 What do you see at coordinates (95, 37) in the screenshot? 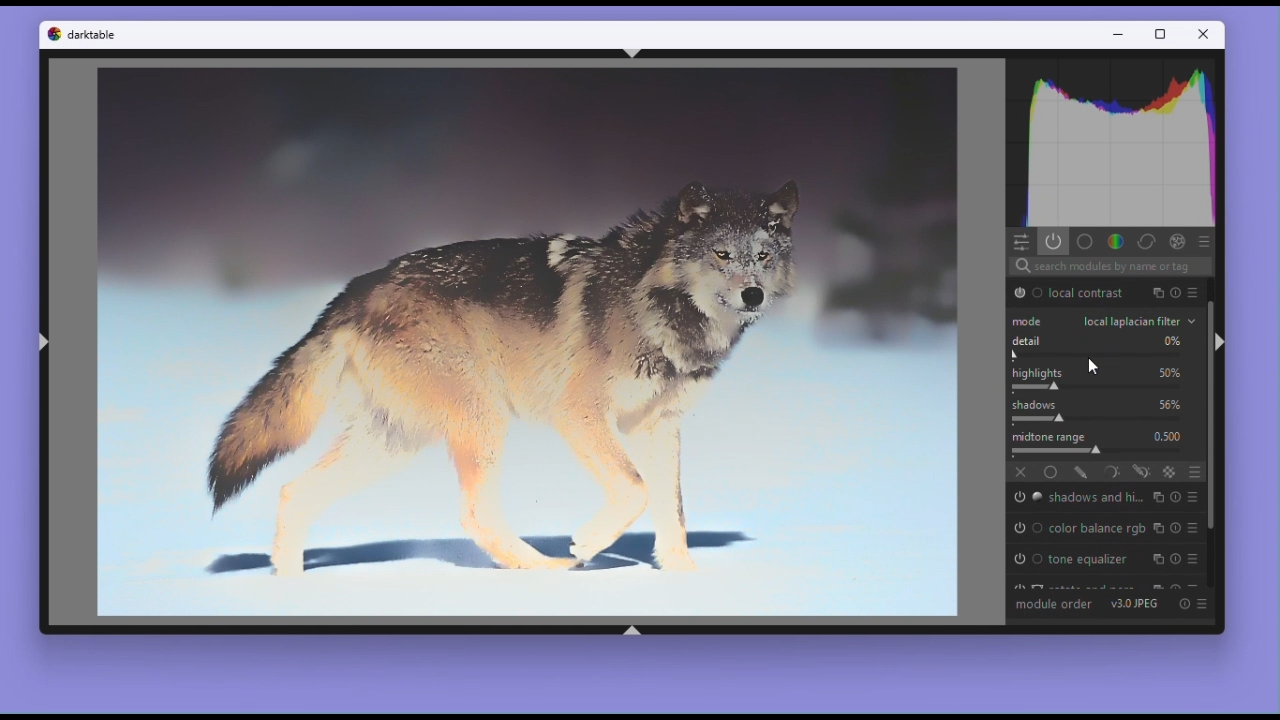
I see `darktable` at bounding box center [95, 37].